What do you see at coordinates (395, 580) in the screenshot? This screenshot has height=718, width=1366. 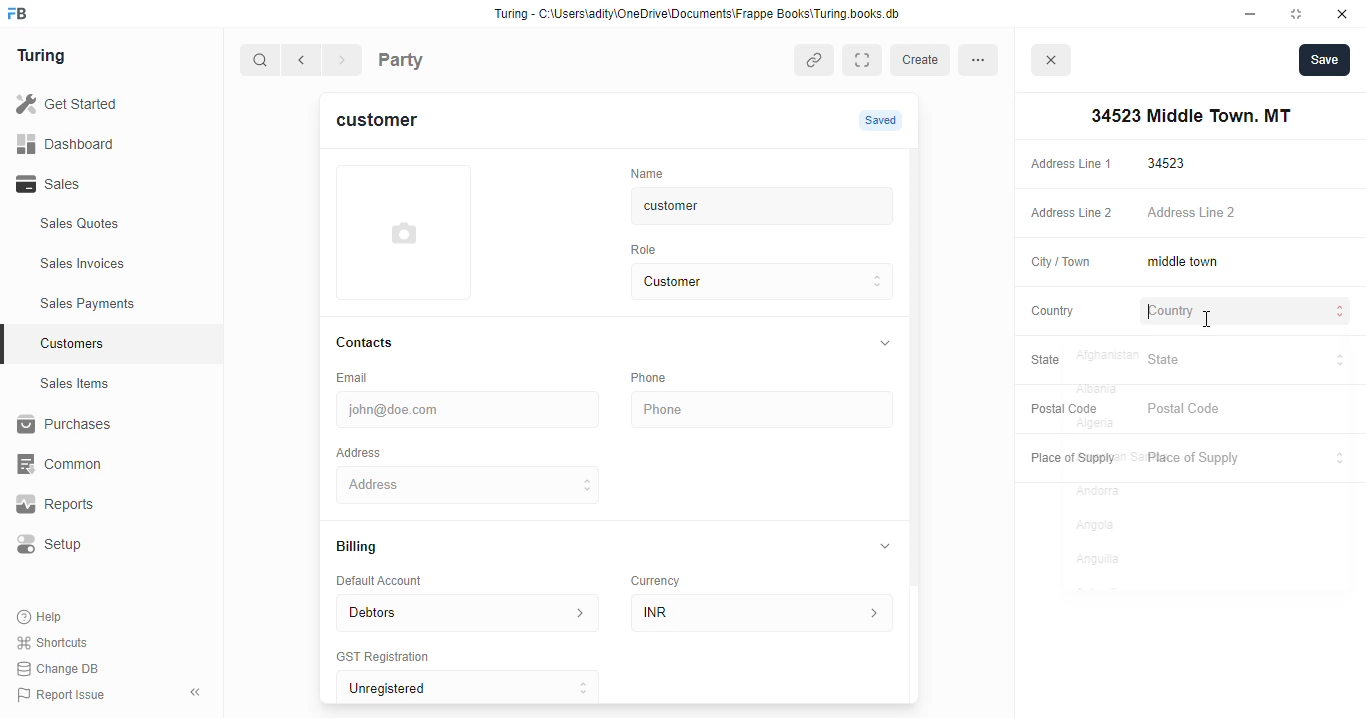 I see `Default Account` at bounding box center [395, 580].